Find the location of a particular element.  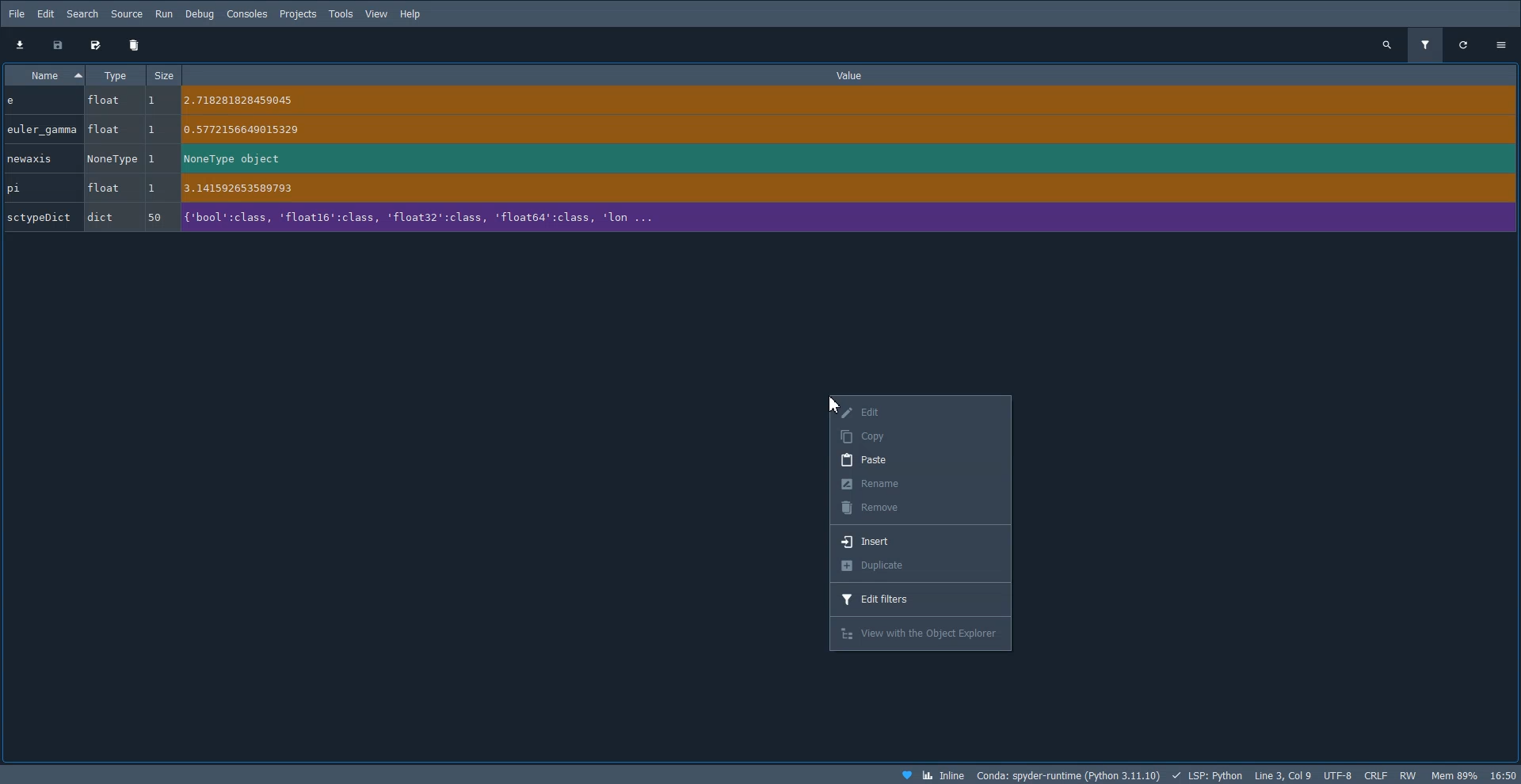

Edit is located at coordinates (922, 409).